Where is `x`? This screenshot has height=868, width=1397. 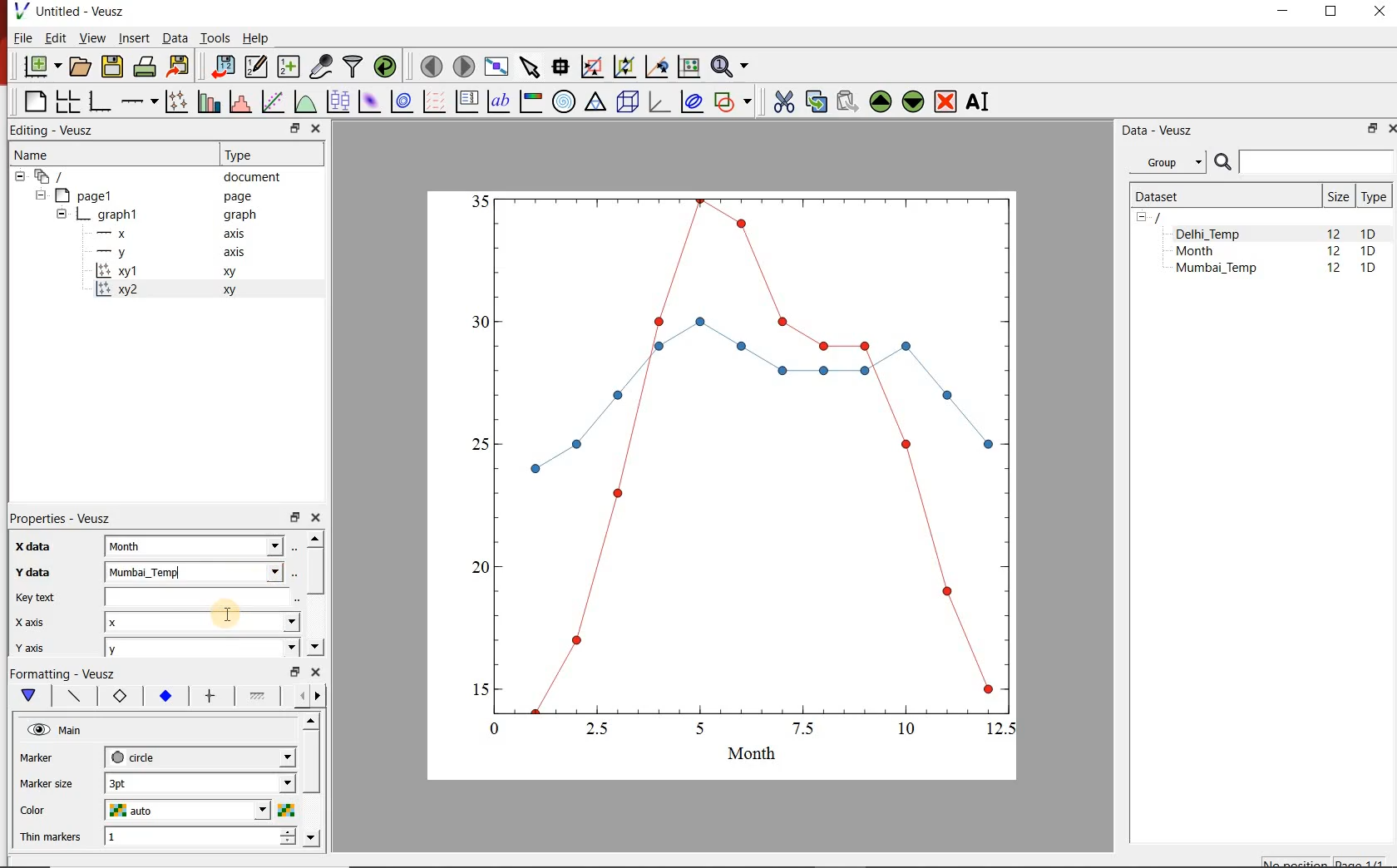
x is located at coordinates (203, 621).